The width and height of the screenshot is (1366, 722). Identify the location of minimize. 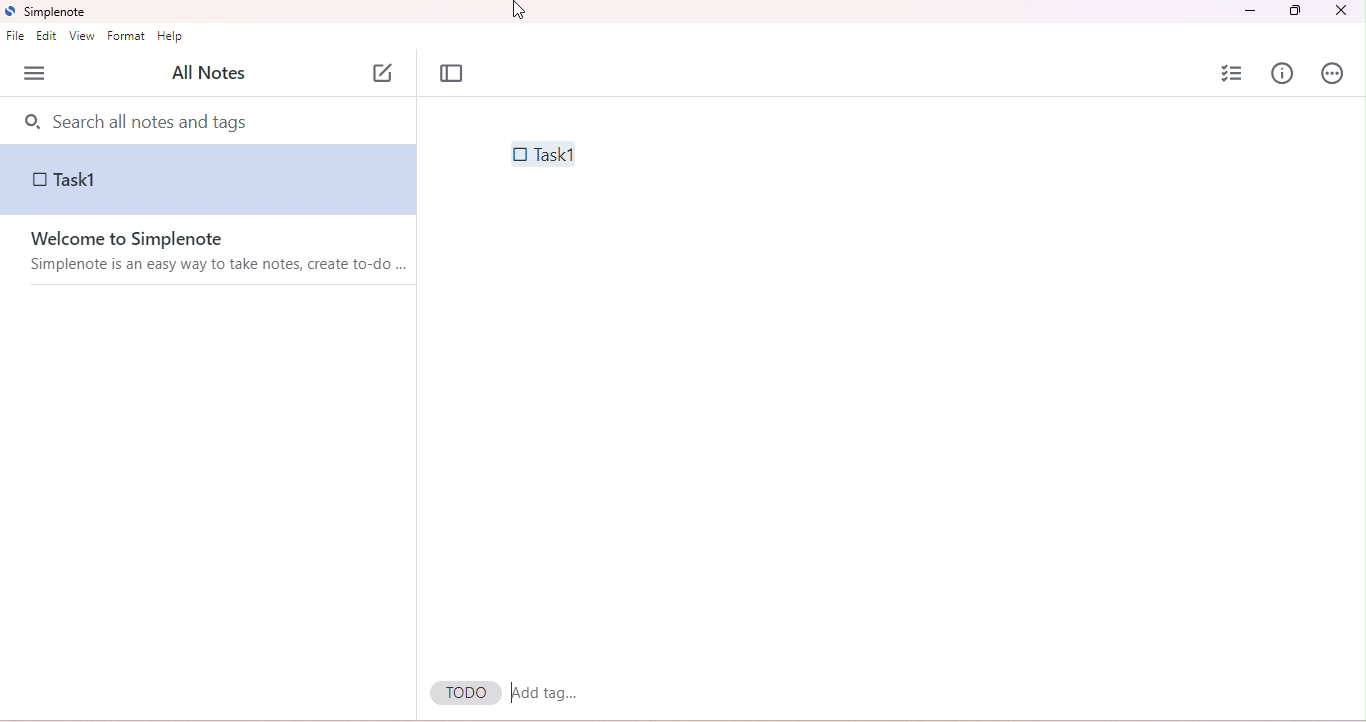
(1252, 11).